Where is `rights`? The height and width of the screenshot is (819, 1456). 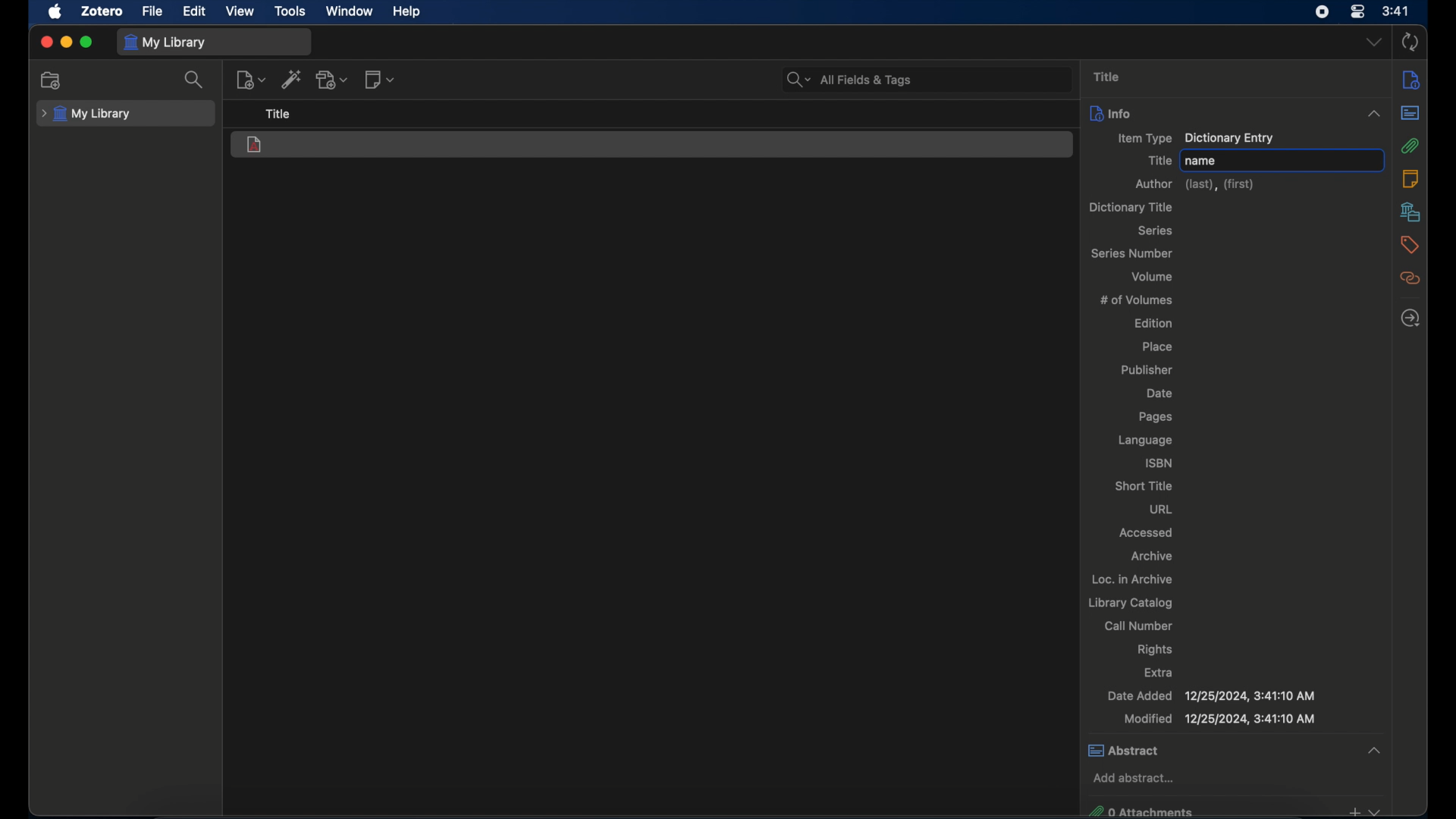
rights is located at coordinates (1155, 650).